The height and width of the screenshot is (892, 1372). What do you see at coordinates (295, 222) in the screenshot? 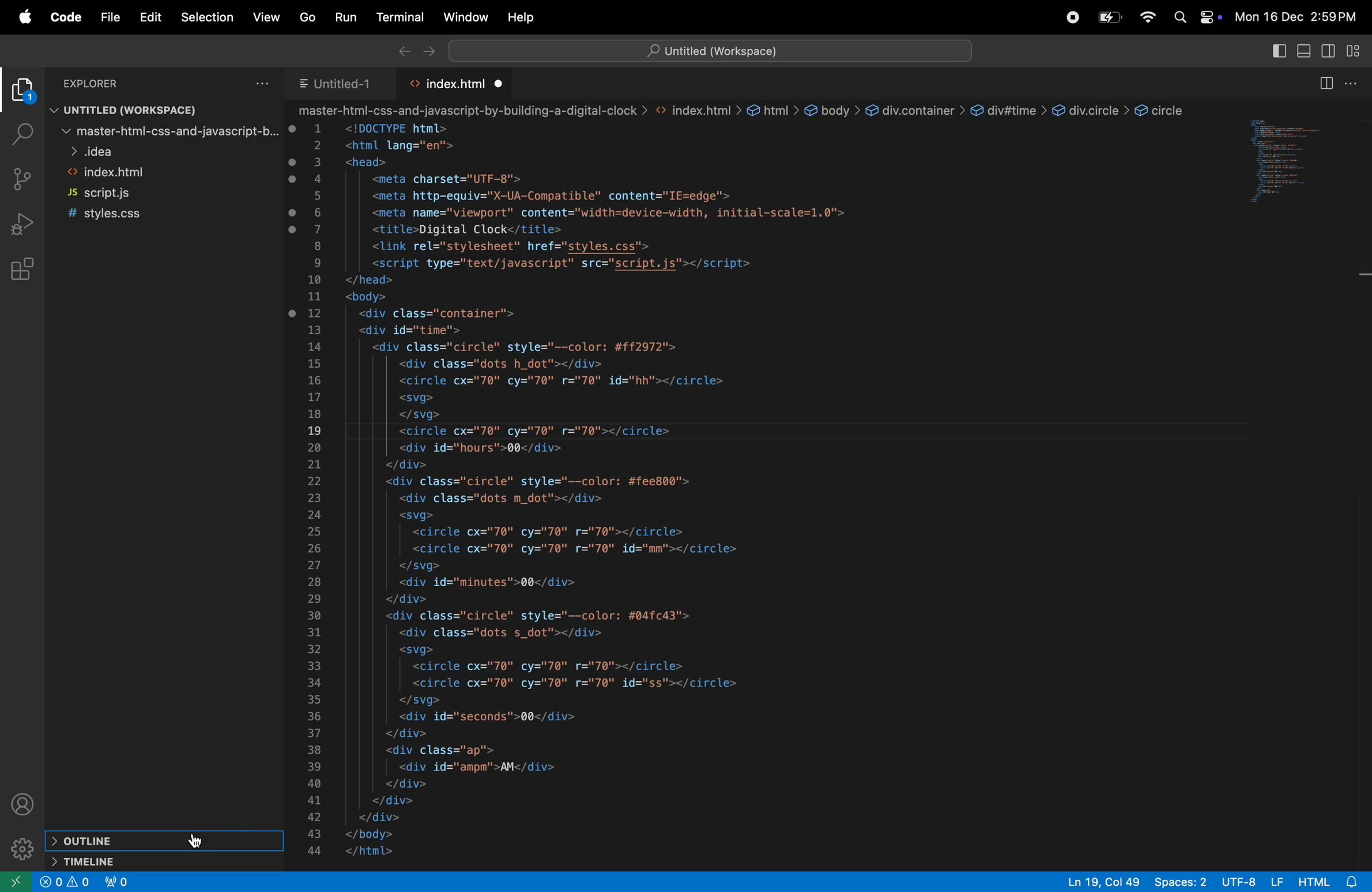
I see `unsaved changes made` at bounding box center [295, 222].